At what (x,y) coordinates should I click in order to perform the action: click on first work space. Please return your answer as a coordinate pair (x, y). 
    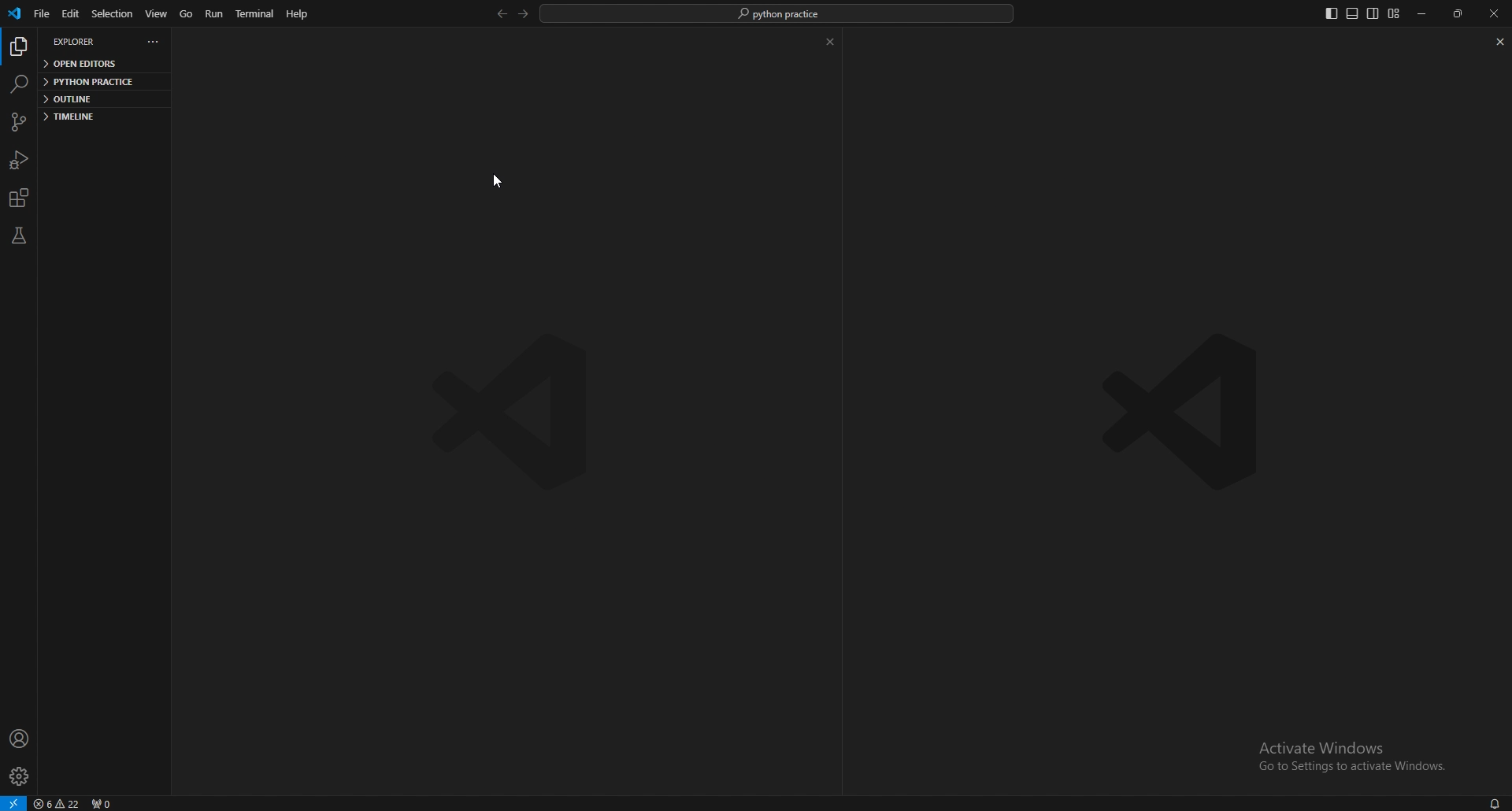
    Looking at the image, I should click on (502, 356).